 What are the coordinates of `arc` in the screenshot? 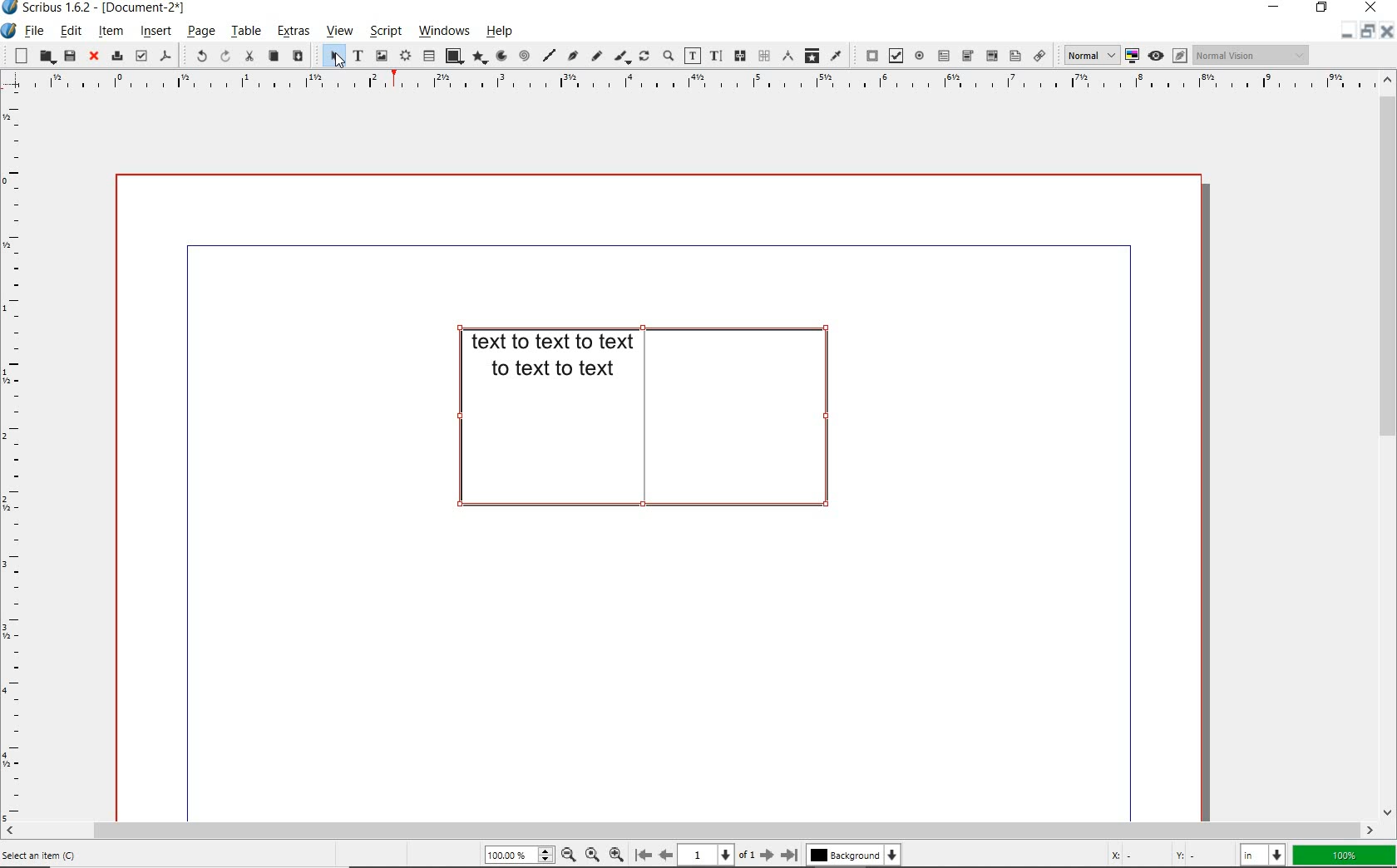 It's located at (499, 57).